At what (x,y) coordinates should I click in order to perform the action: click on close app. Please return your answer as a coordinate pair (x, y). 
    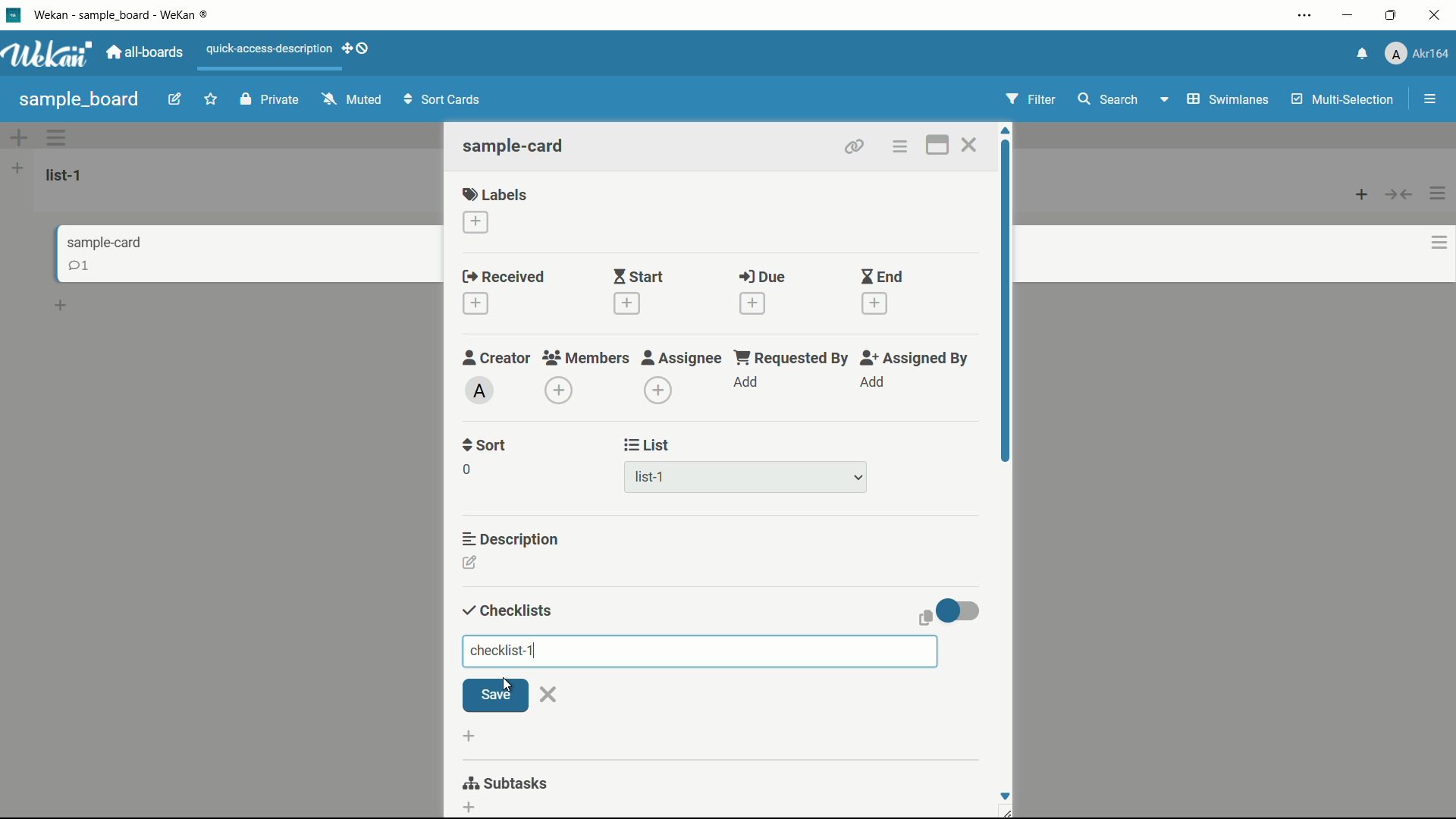
    Looking at the image, I should click on (1438, 16).